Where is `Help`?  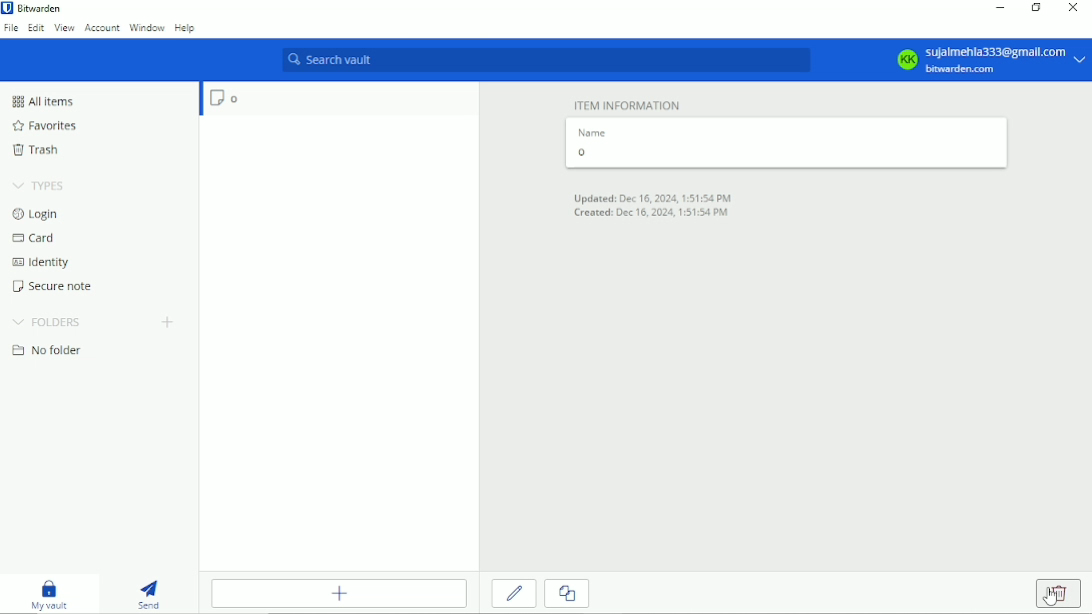 Help is located at coordinates (186, 27).